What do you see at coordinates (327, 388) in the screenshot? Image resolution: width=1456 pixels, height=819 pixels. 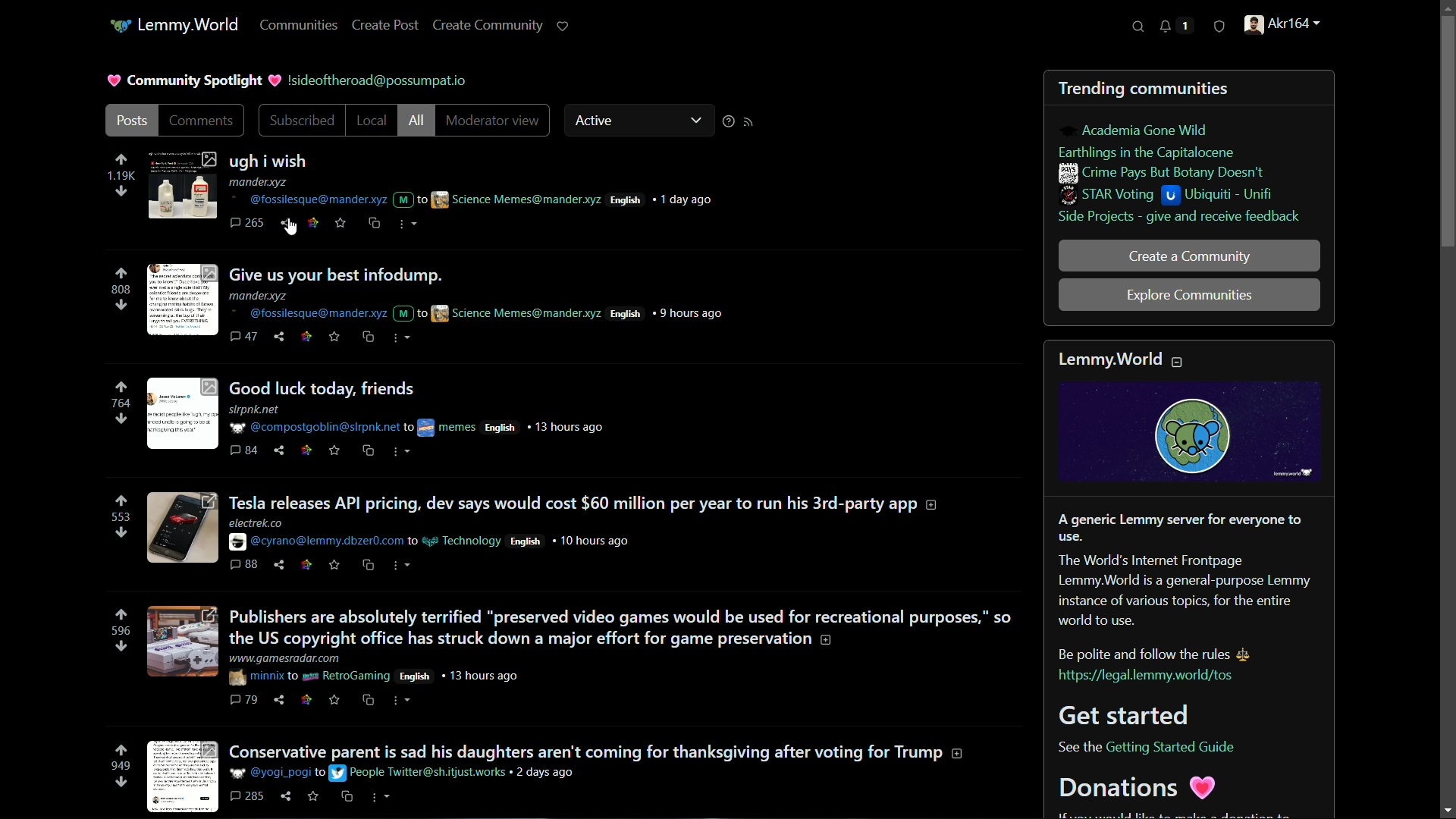 I see `good luck today, friends` at bounding box center [327, 388].